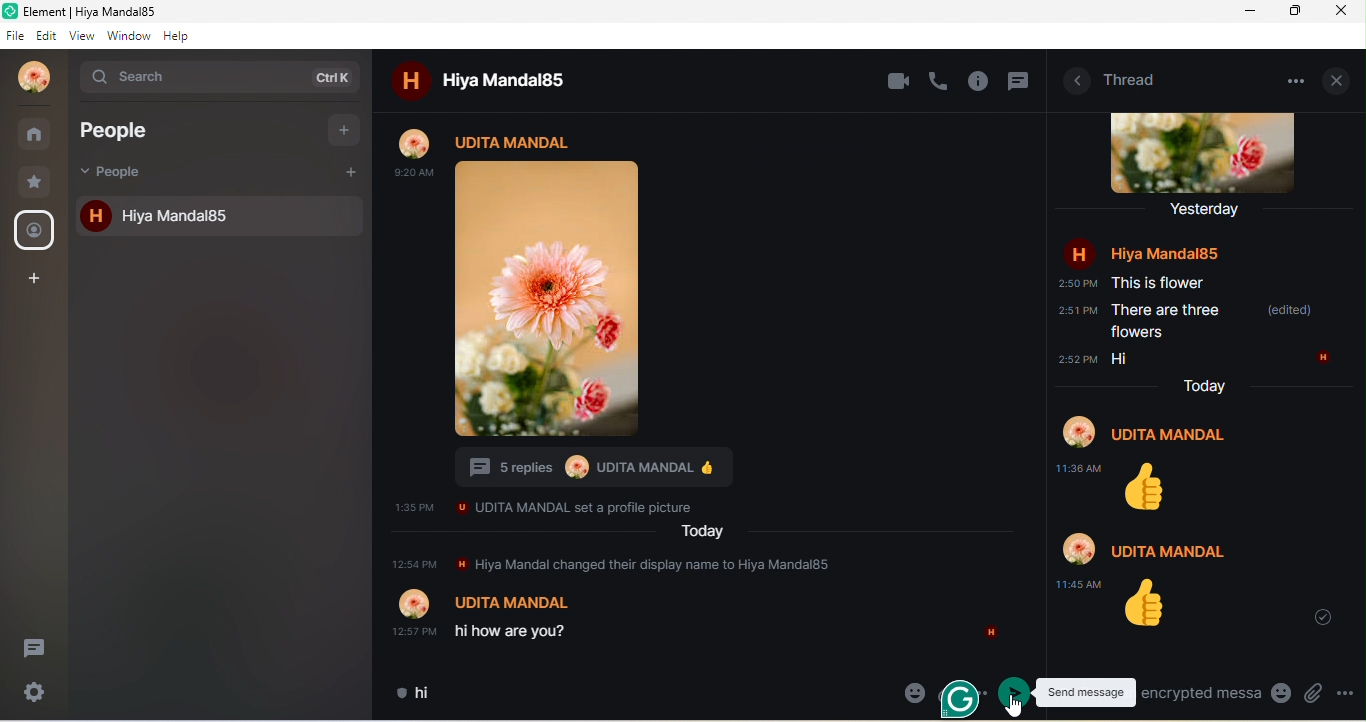  What do you see at coordinates (134, 12) in the screenshot?
I see `Element | Hiya Mandal85` at bounding box center [134, 12].